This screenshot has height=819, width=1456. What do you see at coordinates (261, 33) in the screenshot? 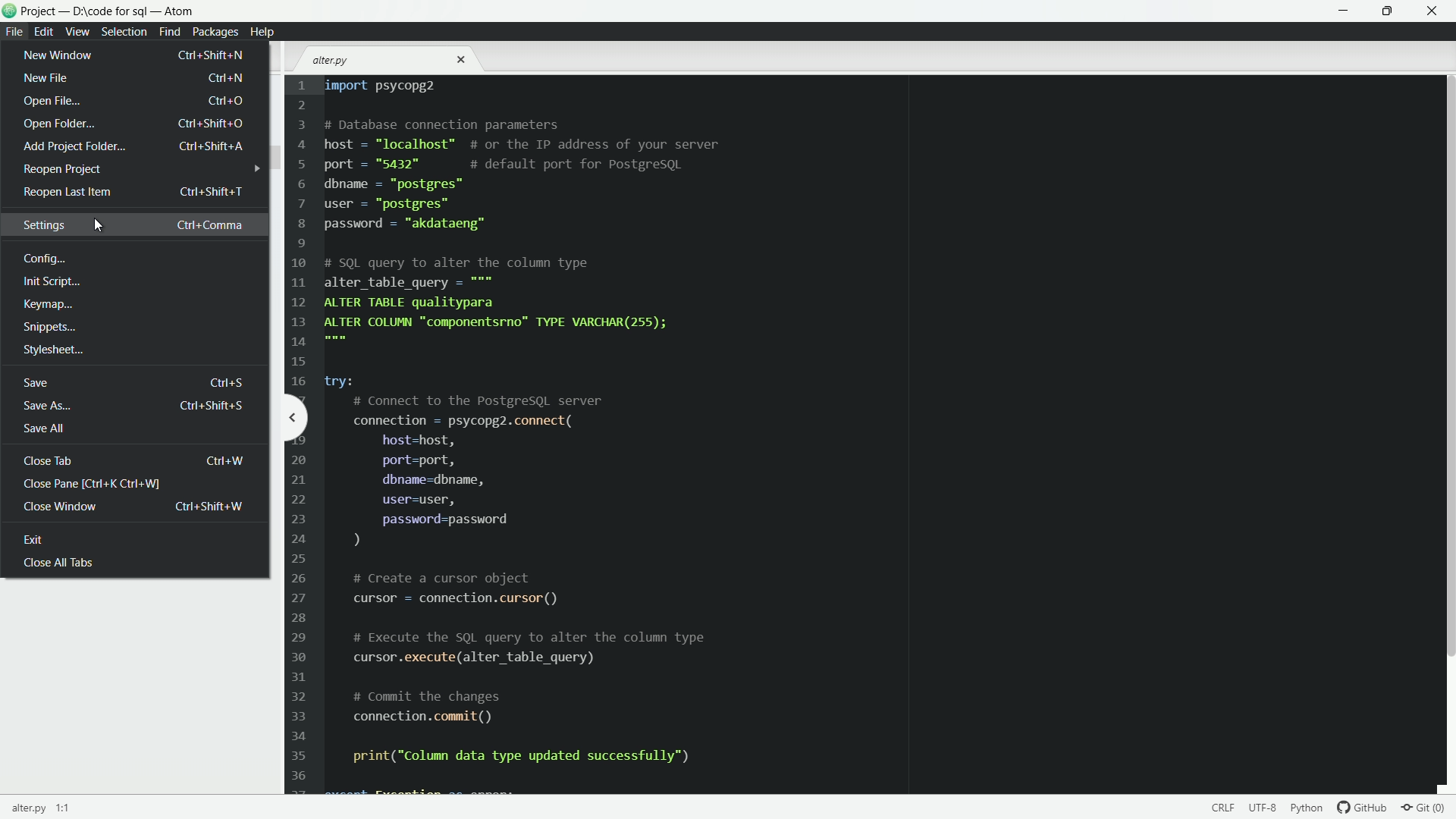
I see `help menu` at bounding box center [261, 33].